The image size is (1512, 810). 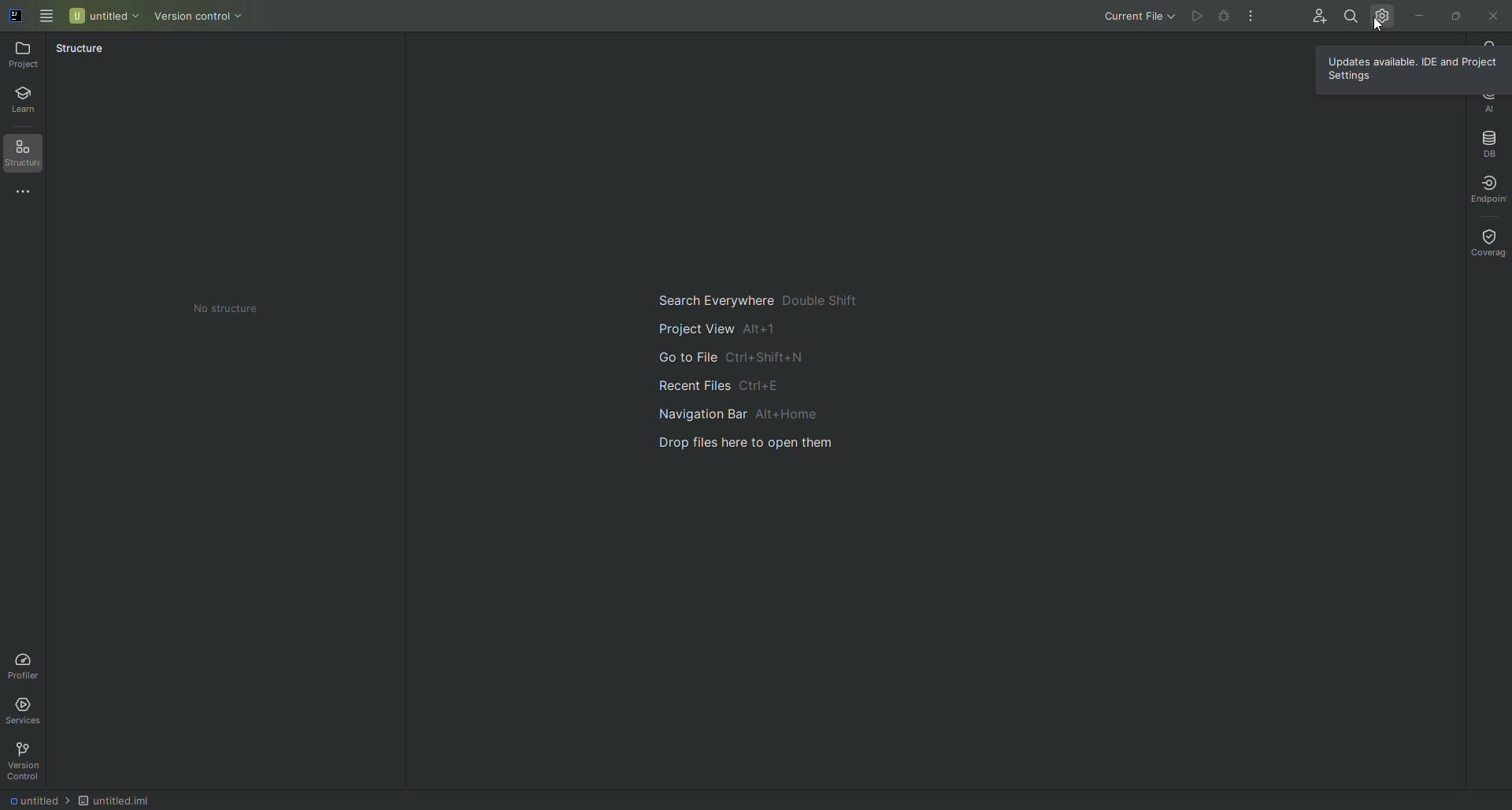 What do you see at coordinates (754, 297) in the screenshot?
I see `Search Everywhere` at bounding box center [754, 297].